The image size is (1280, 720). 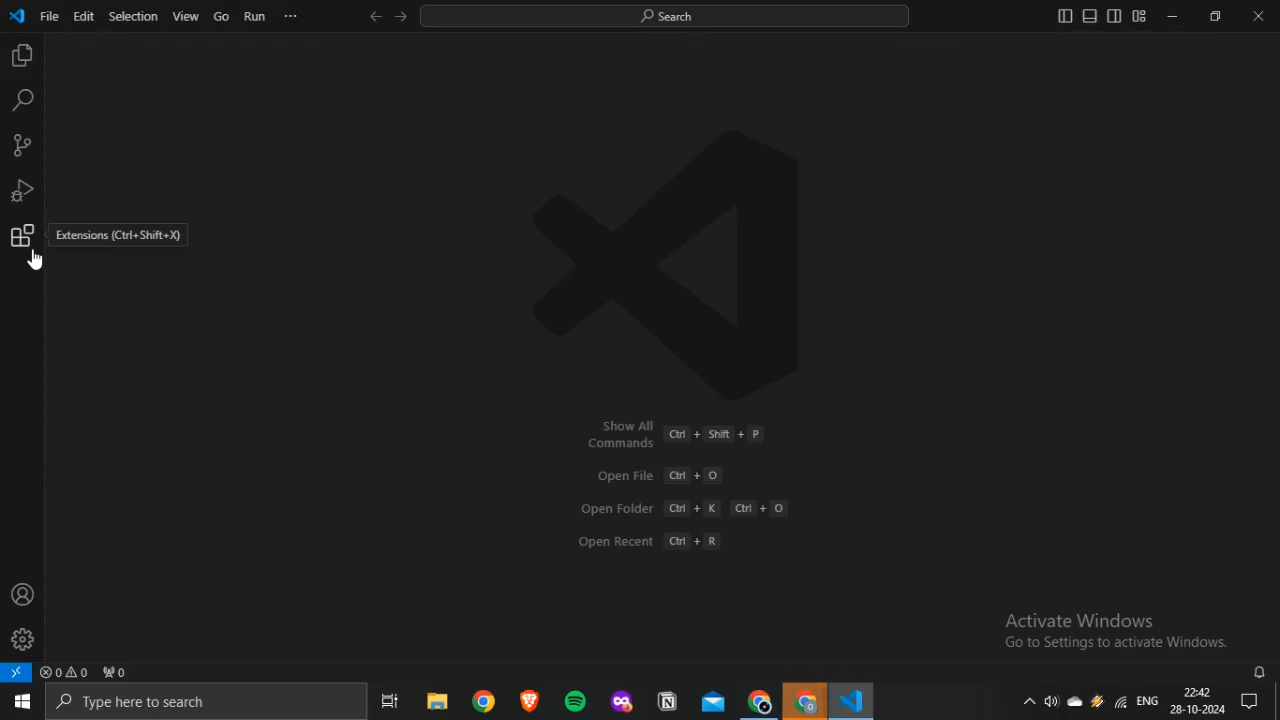 I want to click on winamp agent, so click(x=1097, y=701).